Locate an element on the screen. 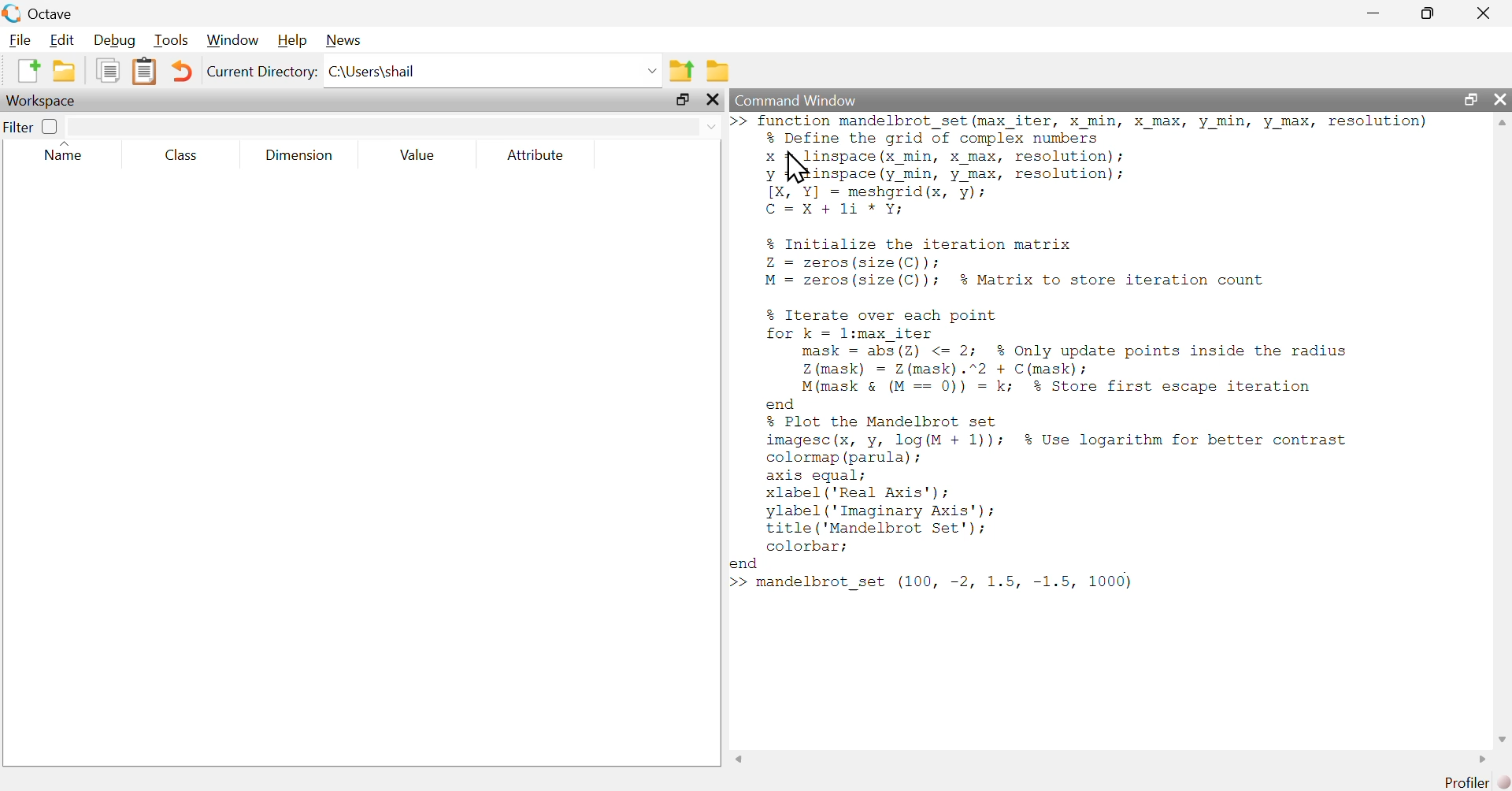 Image resolution: width=1512 pixels, height=791 pixels. Filter is located at coordinates (32, 126).